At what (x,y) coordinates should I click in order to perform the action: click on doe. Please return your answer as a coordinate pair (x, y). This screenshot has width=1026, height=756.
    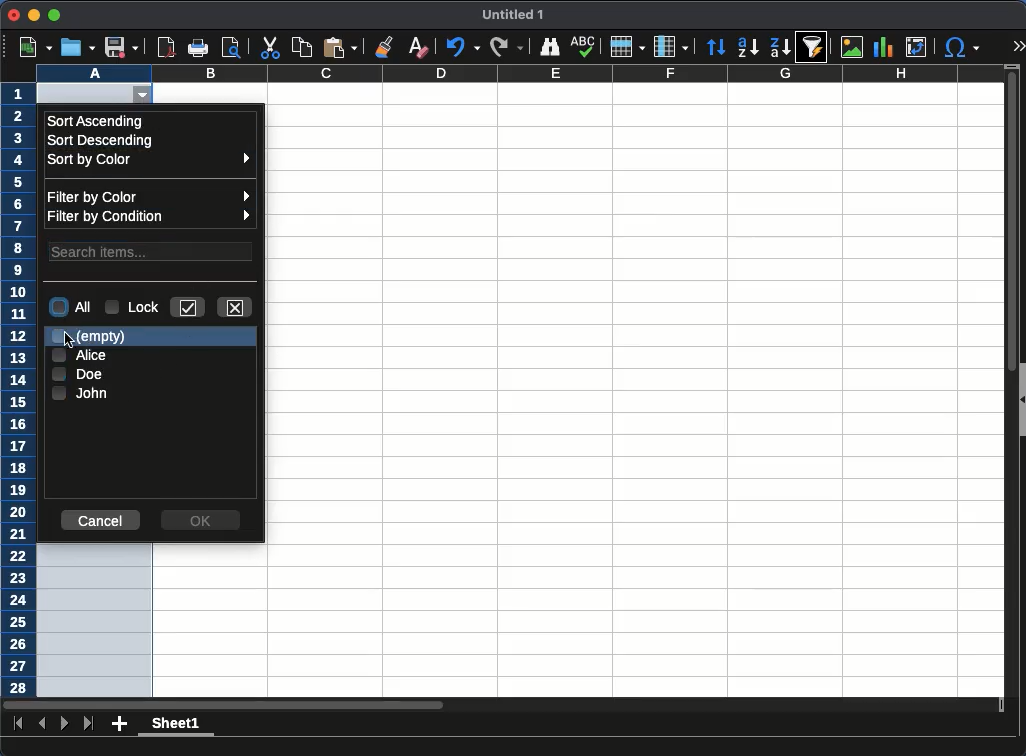
    Looking at the image, I should click on (79, 374).